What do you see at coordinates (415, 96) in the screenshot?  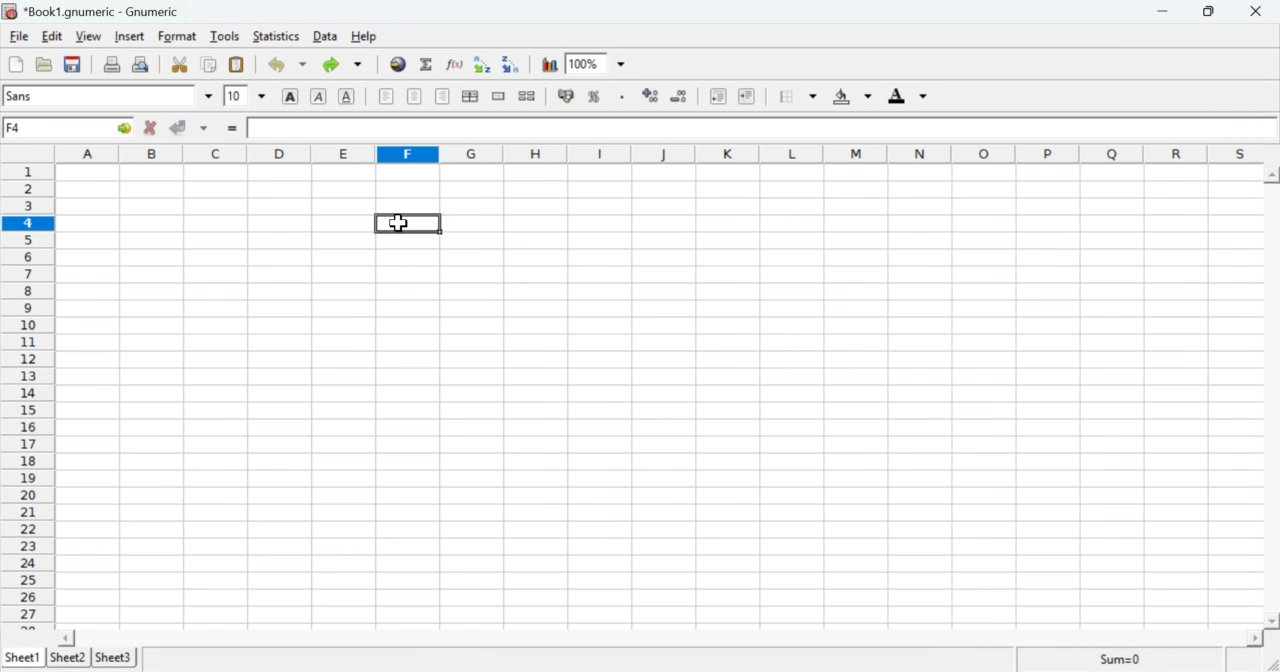 I see `Center horizontally` at bounding box center [415, 96].